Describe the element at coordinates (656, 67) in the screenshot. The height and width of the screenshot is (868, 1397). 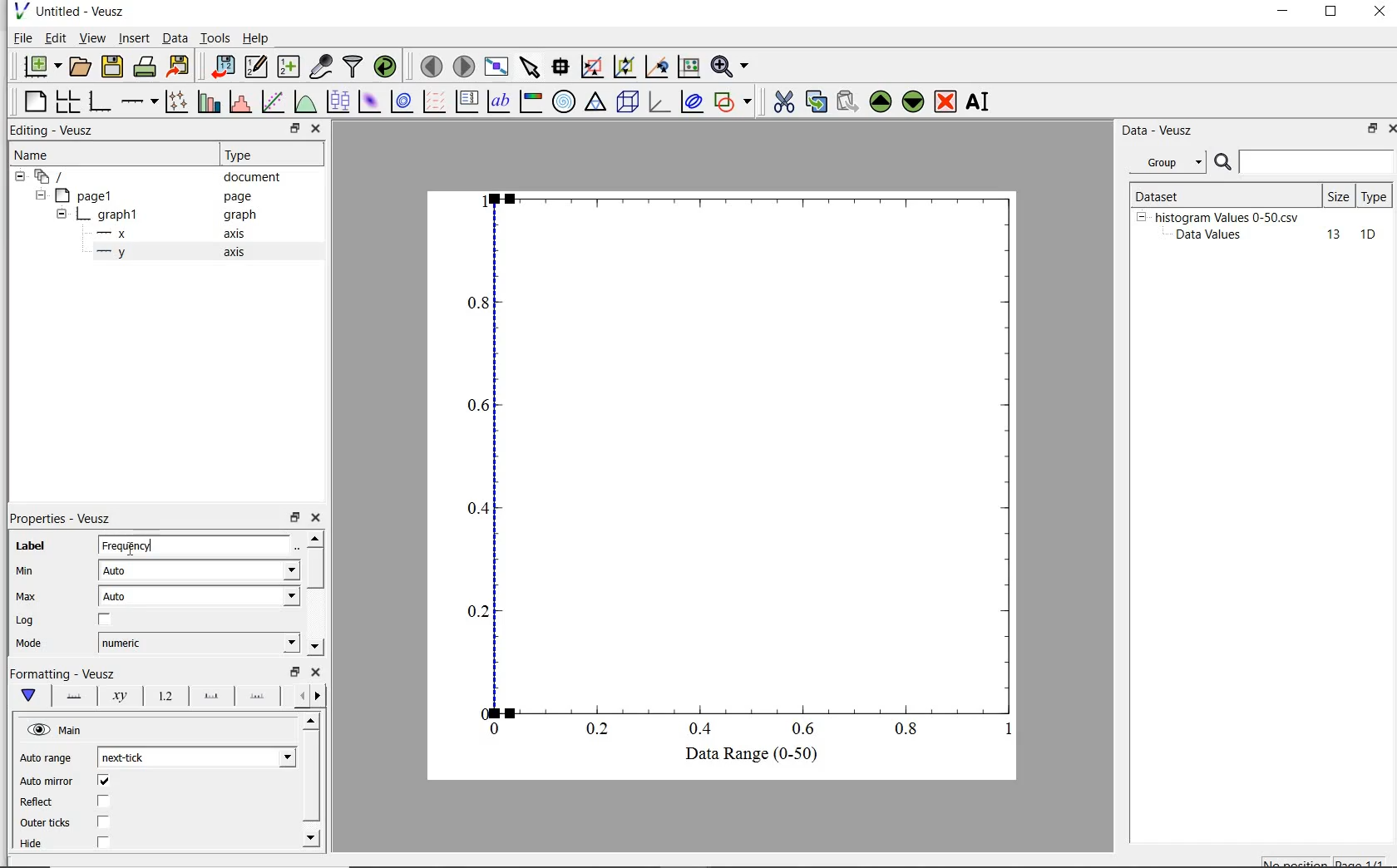
I see `click to zoom out on graph axes` at that location.